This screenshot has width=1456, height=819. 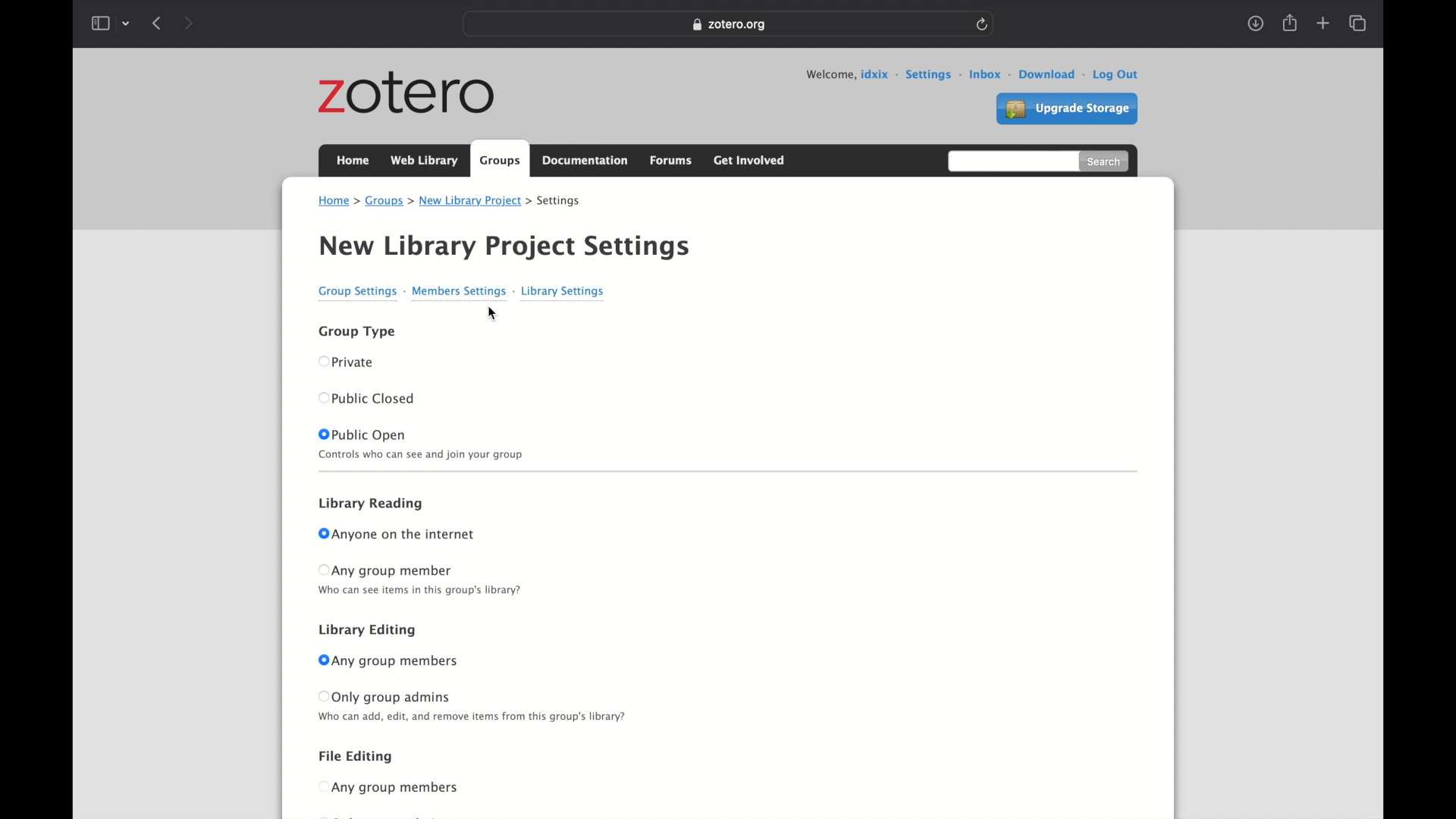 What do you see at coordinates (408, 95) in the screenshot?
I see `zotero` at bounding box center [408, 95].